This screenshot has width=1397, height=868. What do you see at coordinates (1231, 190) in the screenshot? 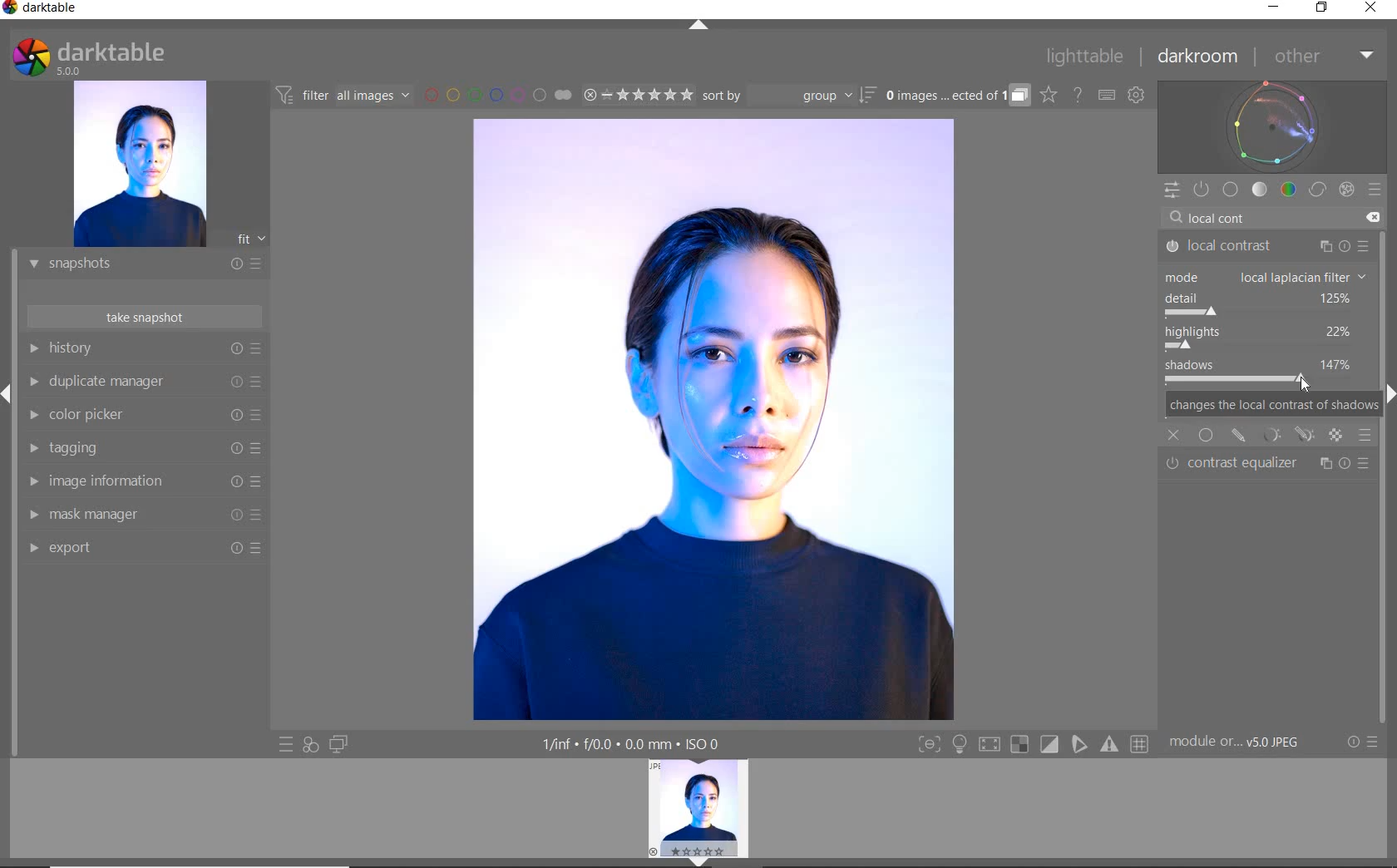
I see `BASE` at bounding box center [1231, 190].